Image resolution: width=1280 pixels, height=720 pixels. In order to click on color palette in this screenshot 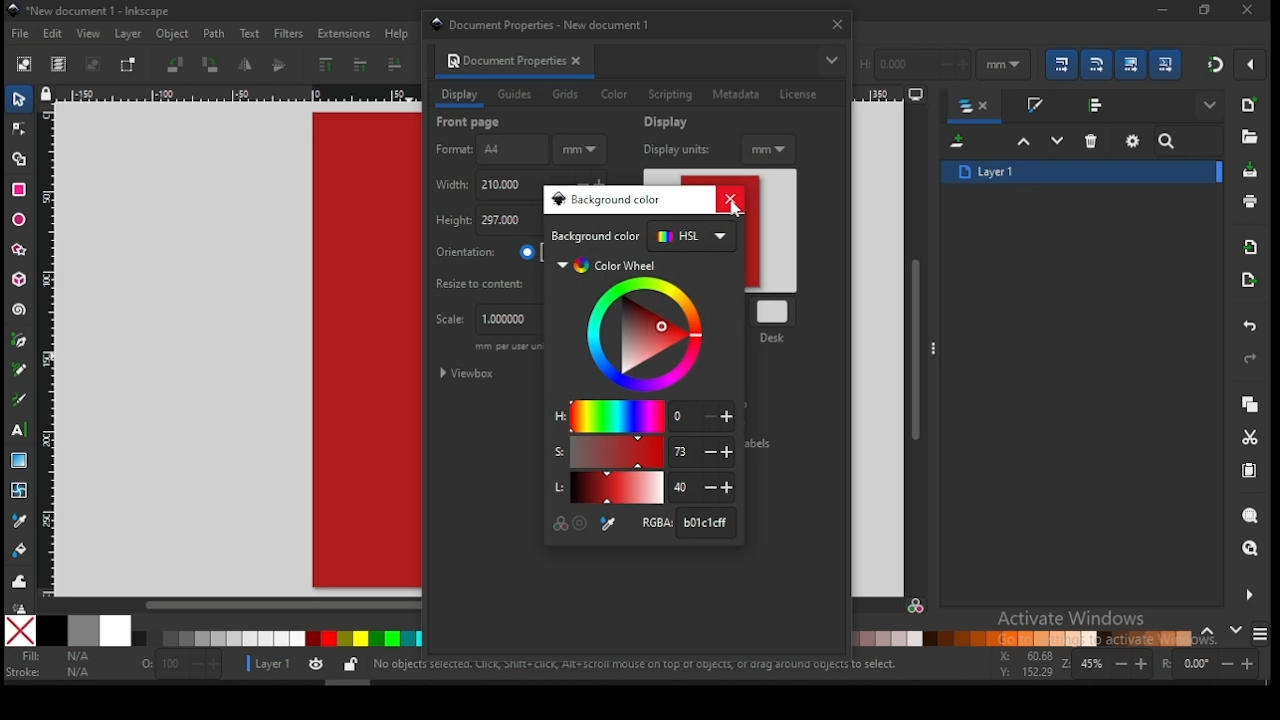, I will do `click(1023, 638)`.